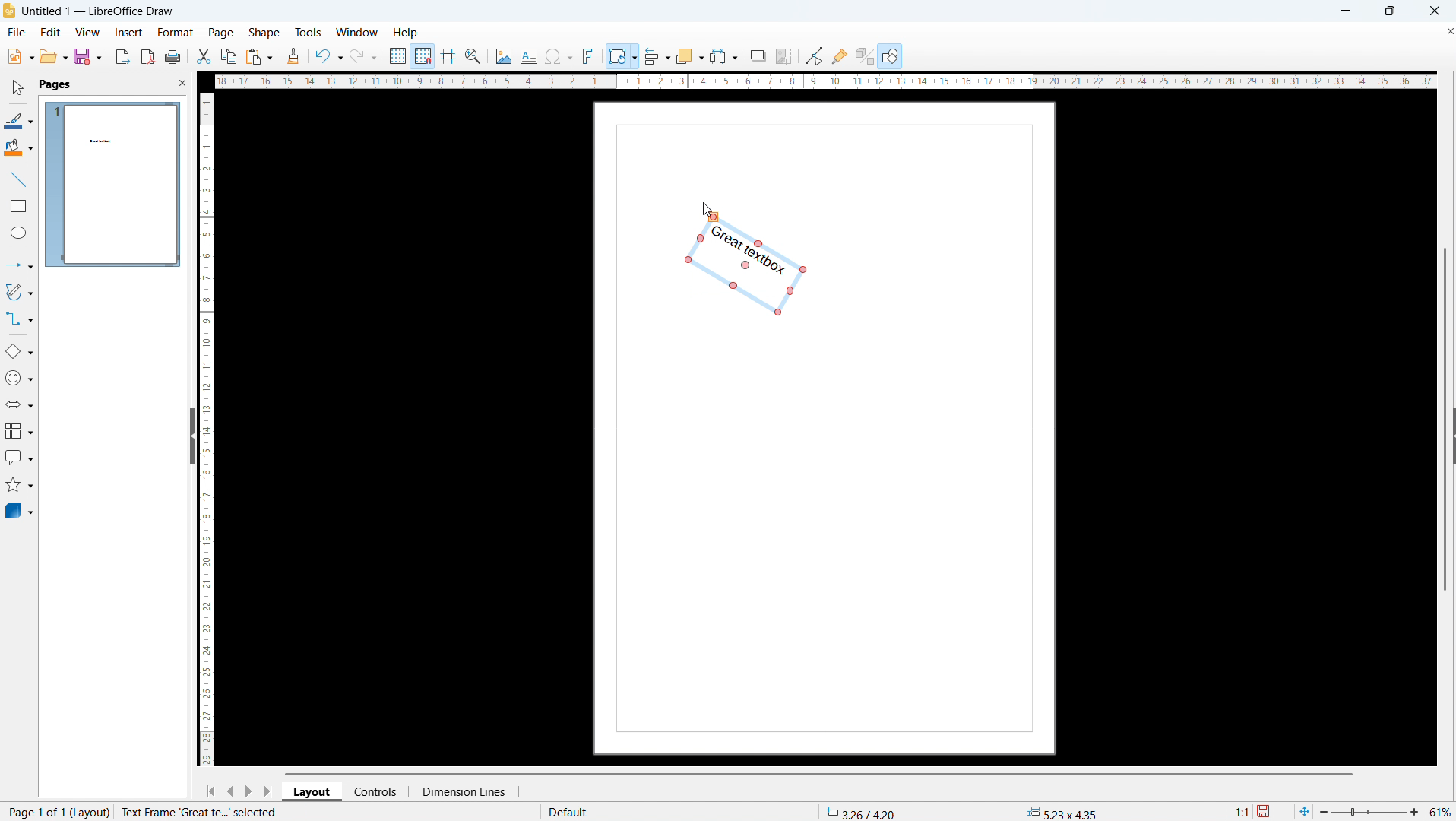 Image resolution: width=1456 pixels, height=821 pixels. I want to click on document title, so click(100, 11).